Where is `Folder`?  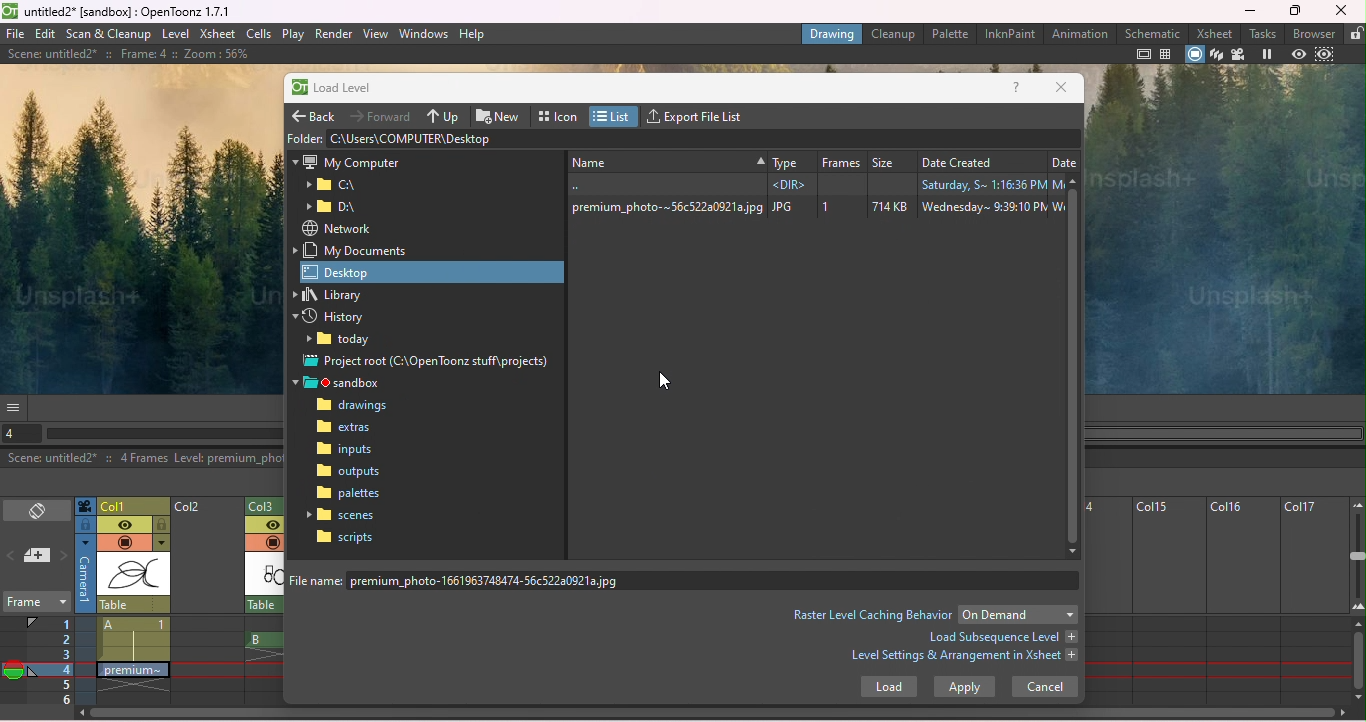 Folder is located at coordinates (332, 185).